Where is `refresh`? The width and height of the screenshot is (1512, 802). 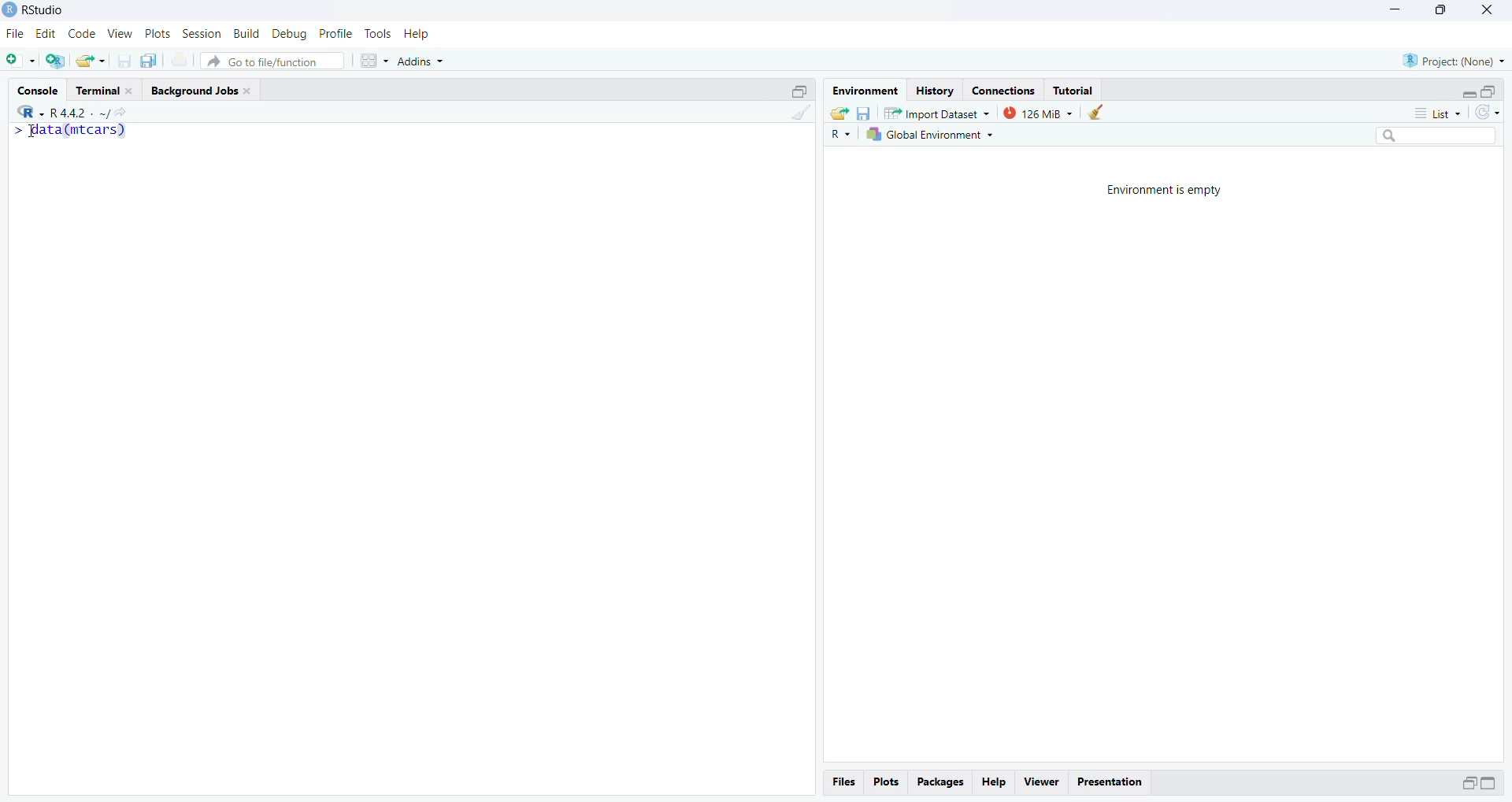
refresh is located at coordinates (1488, 113).